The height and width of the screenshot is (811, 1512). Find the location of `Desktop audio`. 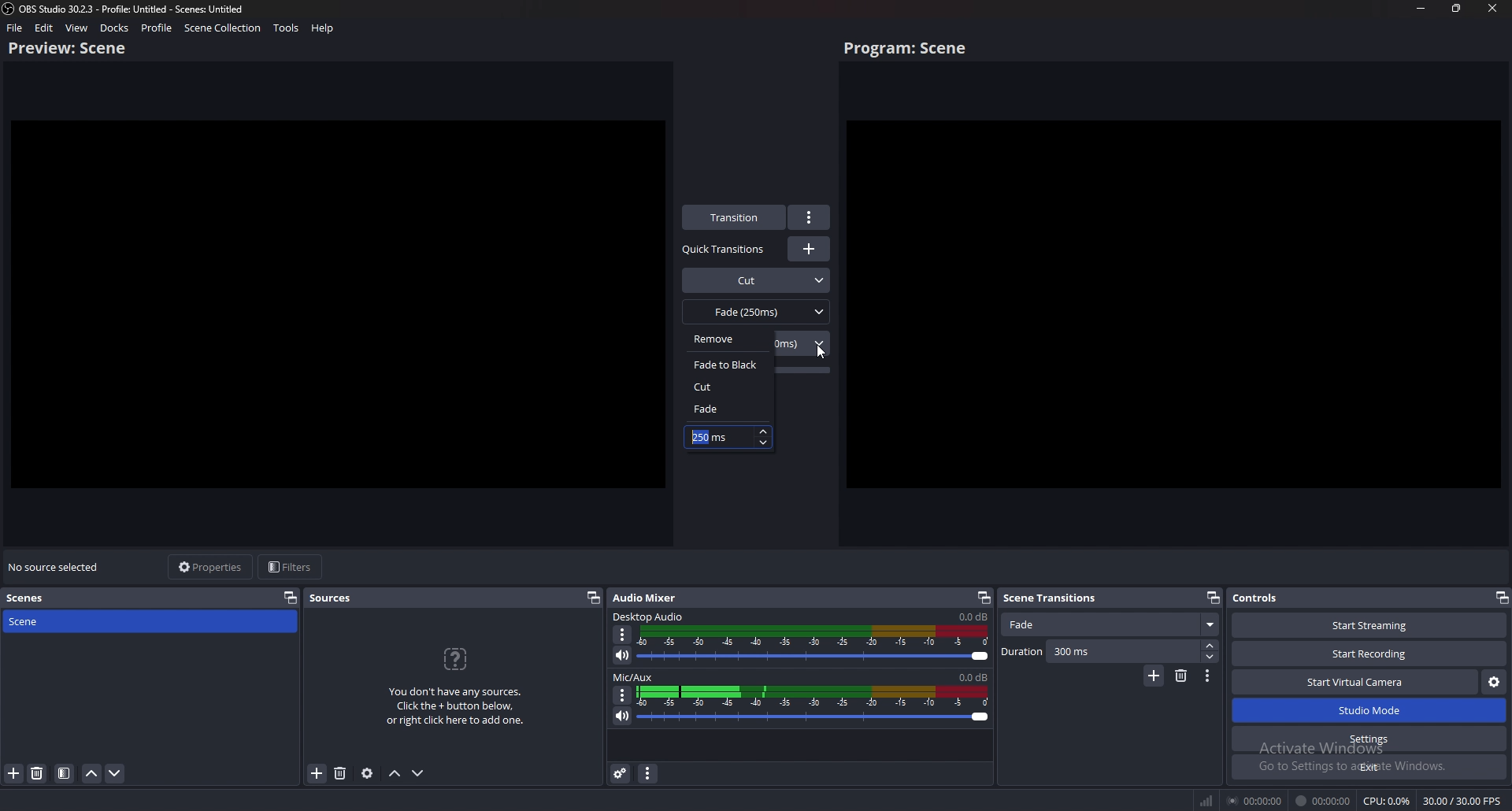

Desktop audio is located at coordinates (972, 617).